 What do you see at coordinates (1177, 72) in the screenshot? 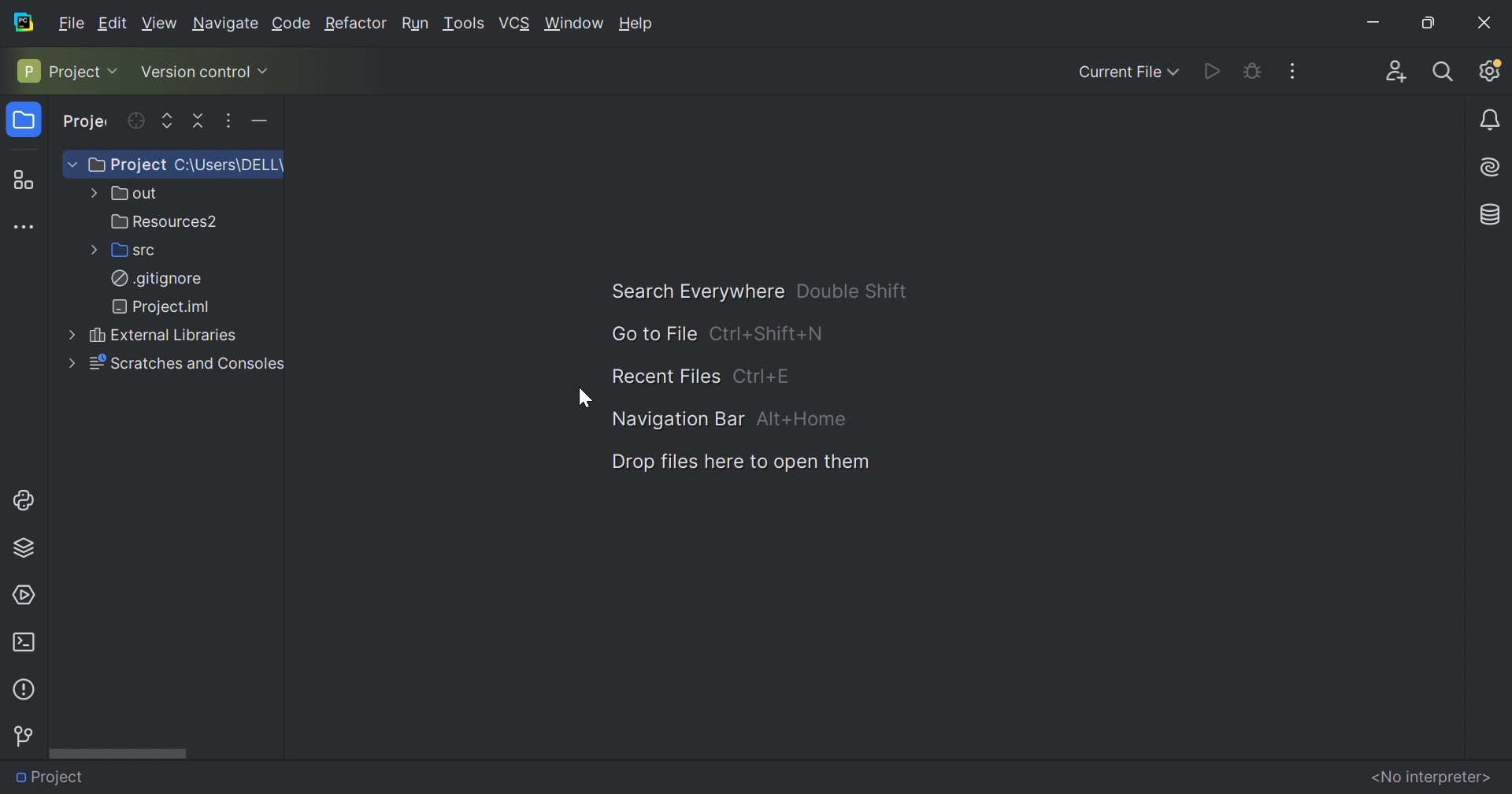
I see `Drop Down` at bounding box center [1177, 72].